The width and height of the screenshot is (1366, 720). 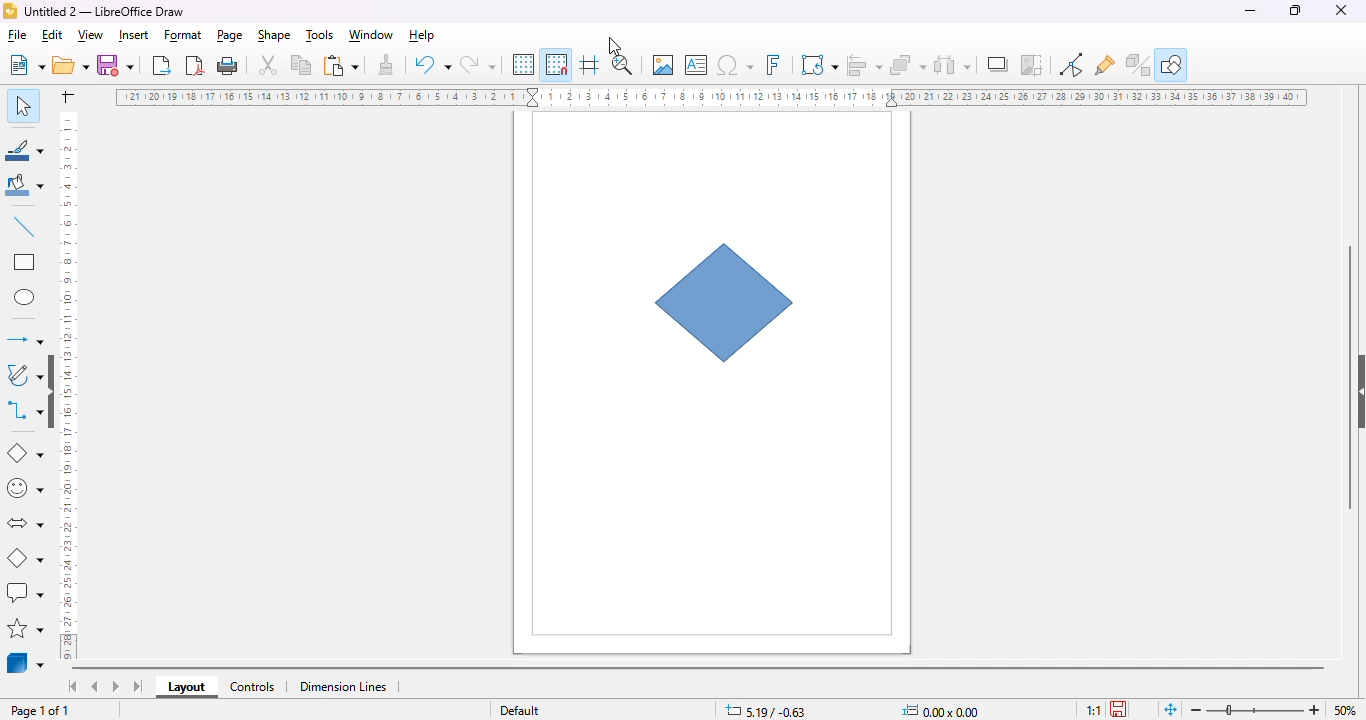 What do you see at coordinates (1105, 66) in the screenshot?
I see `show gluepoint functions` at bounding box center [1105, 66].